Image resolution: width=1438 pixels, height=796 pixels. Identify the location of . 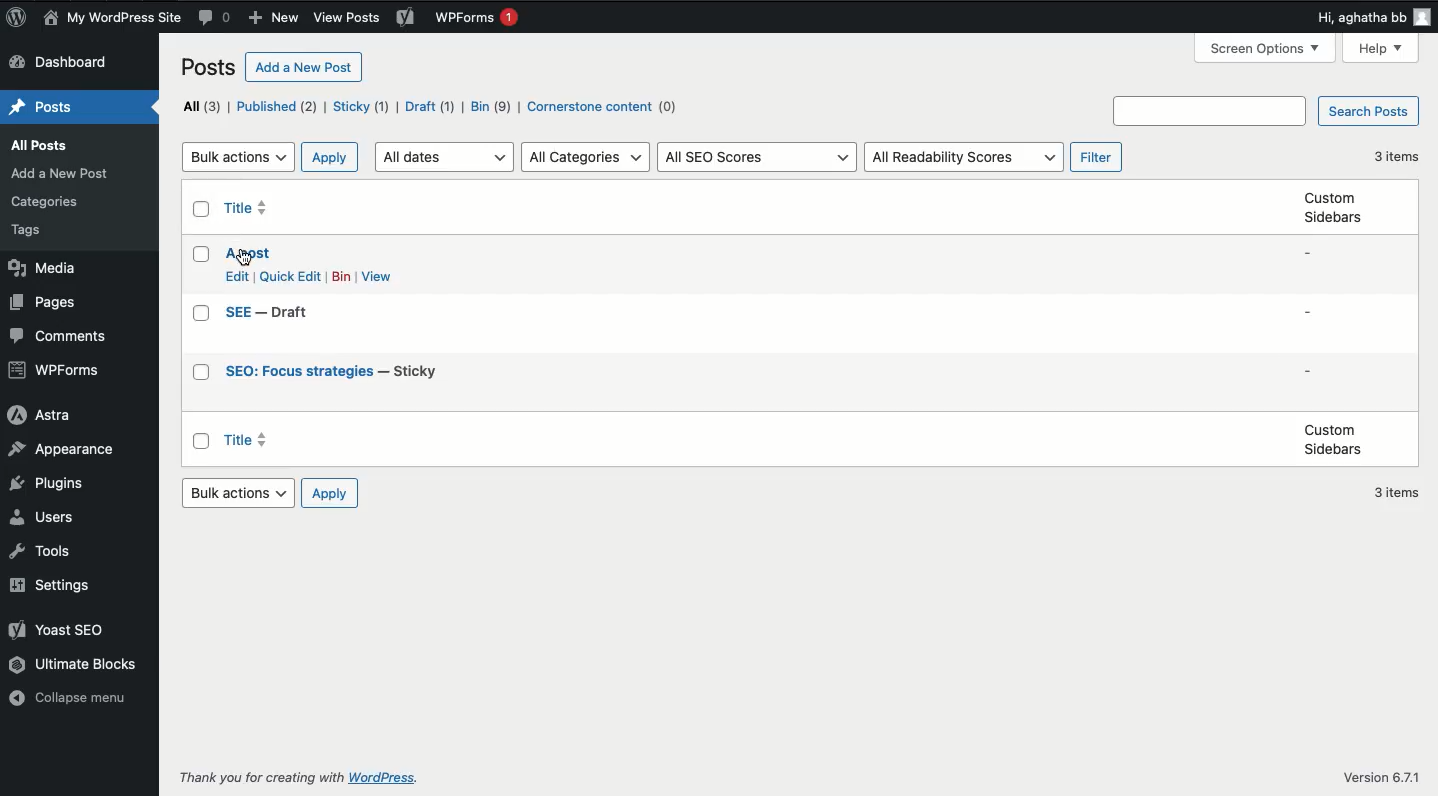
(257, 779).